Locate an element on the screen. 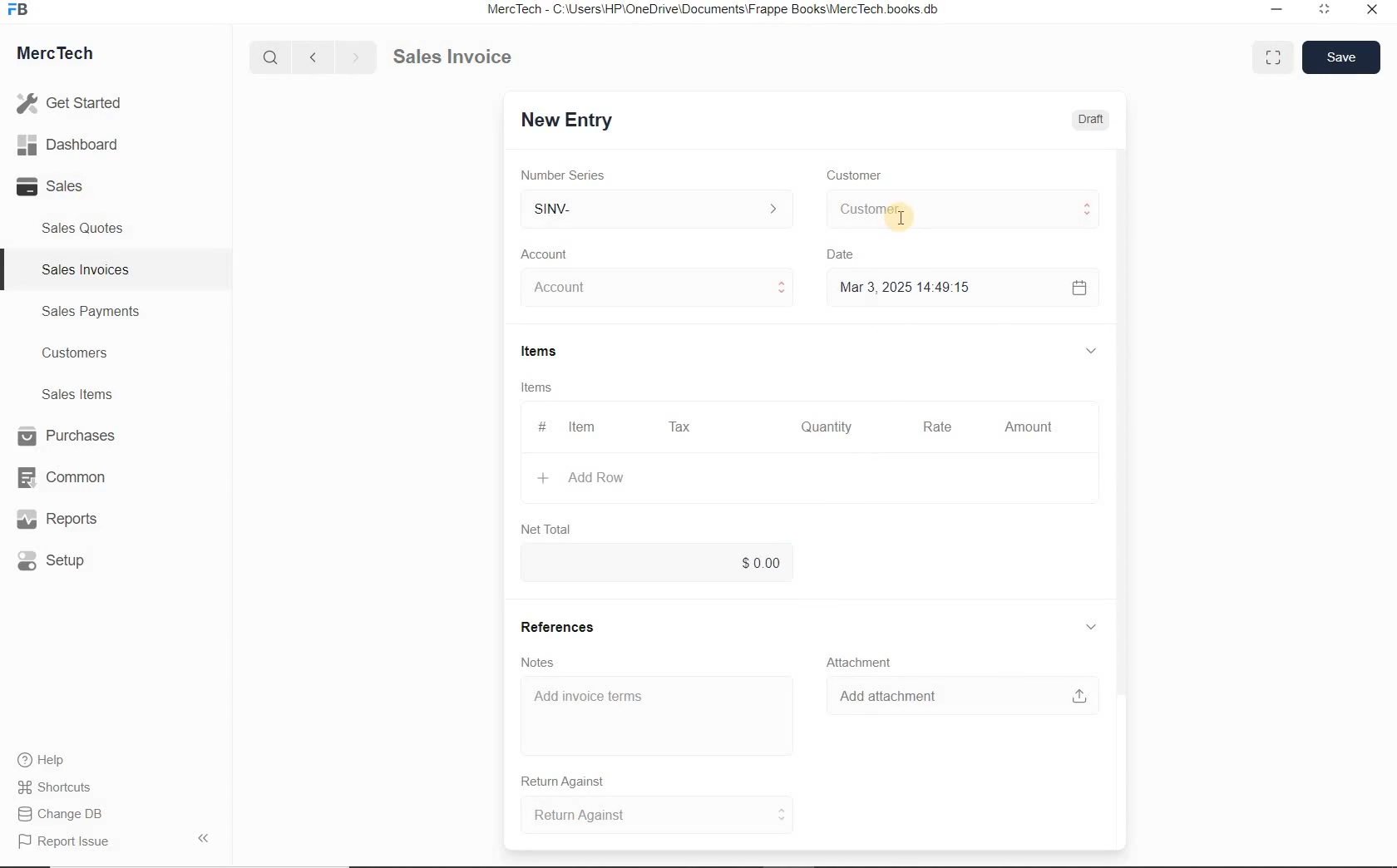 Image resolution: width=1397 pixels, height=868 pixels. cursor is located at coordinates (901, 220).